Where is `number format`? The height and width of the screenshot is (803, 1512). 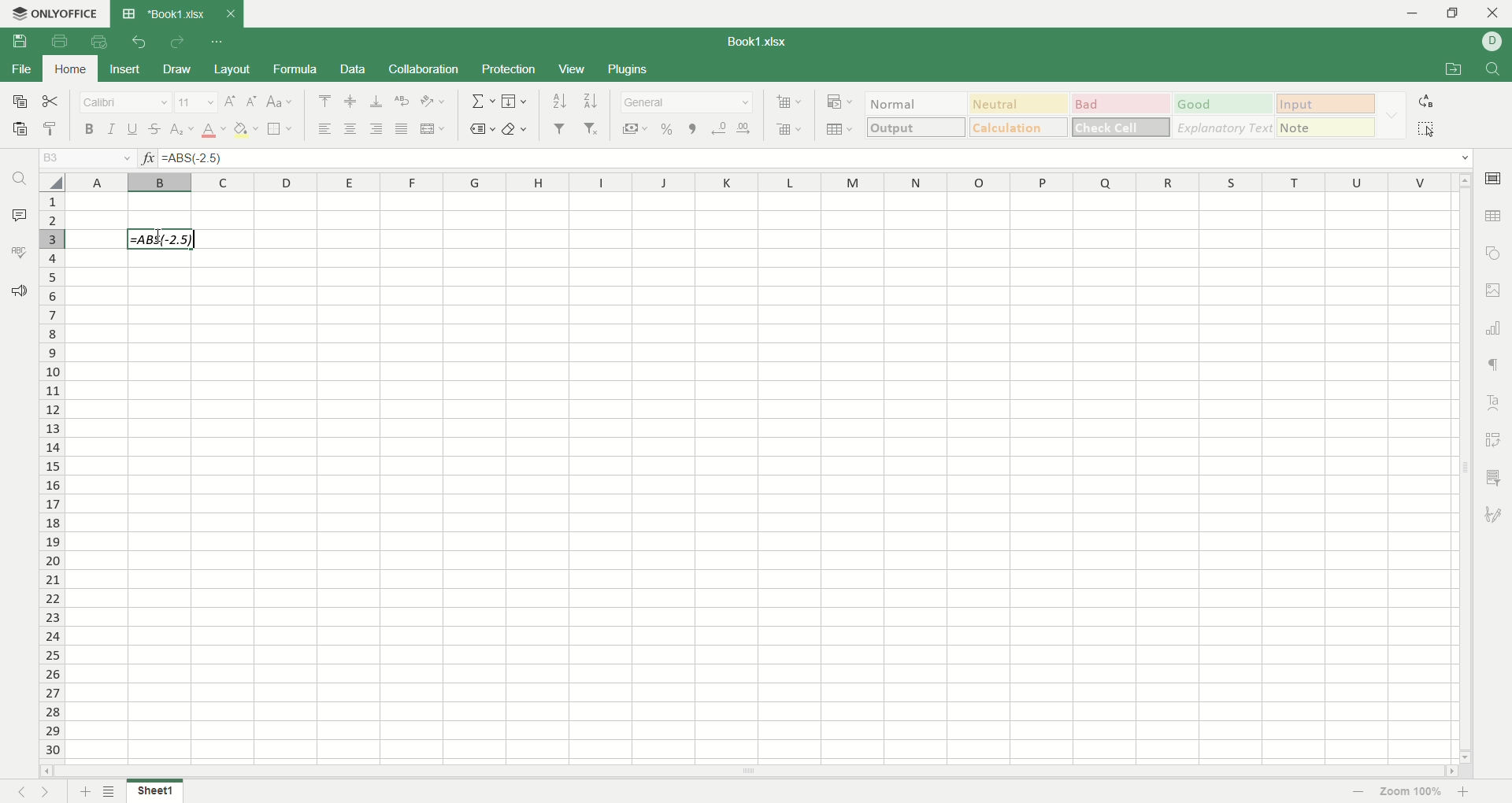
number format is located at coordinates (686, 101).